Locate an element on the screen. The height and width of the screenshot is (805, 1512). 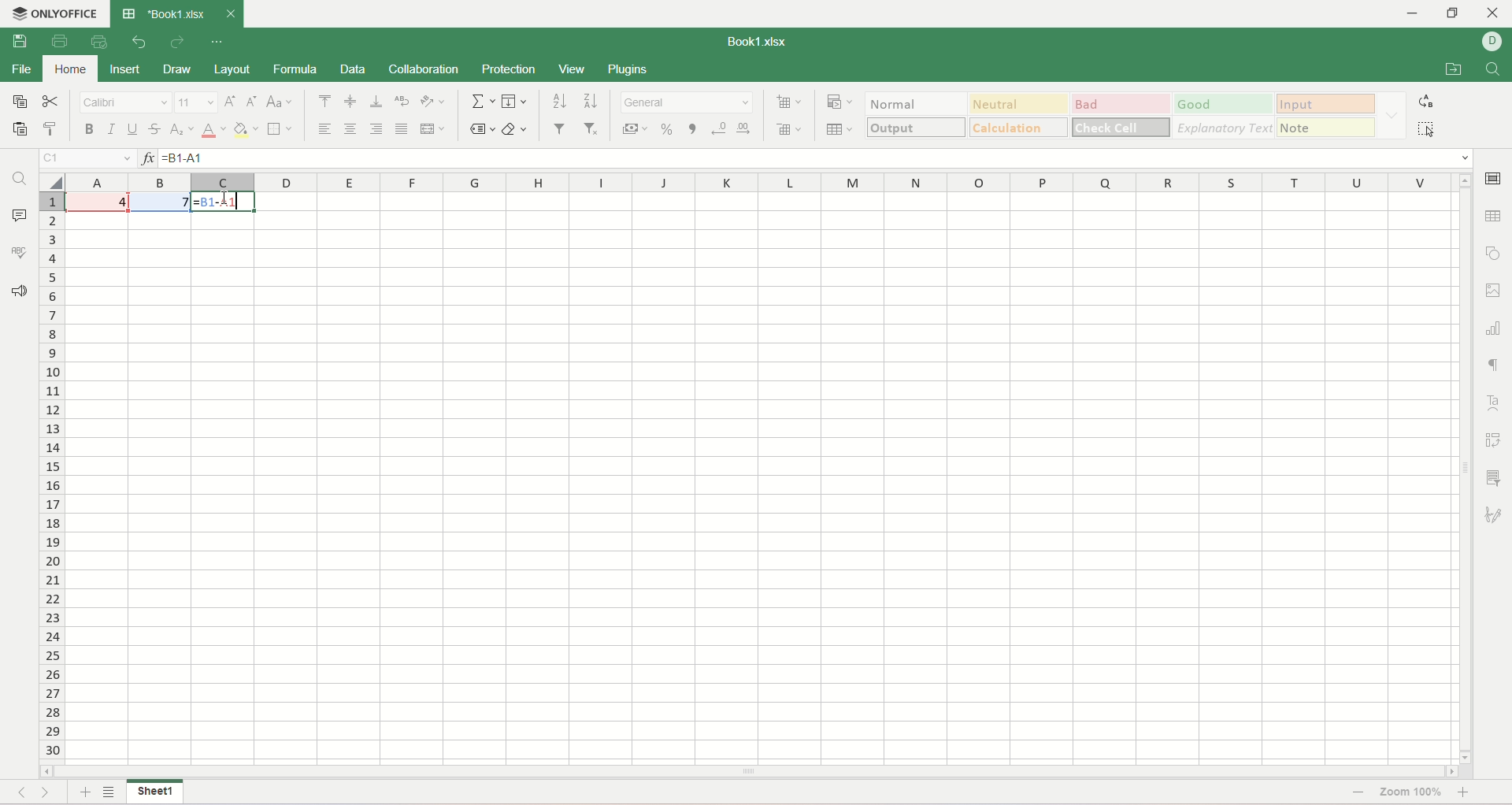
Plugins is located at coordinates (629, 69).